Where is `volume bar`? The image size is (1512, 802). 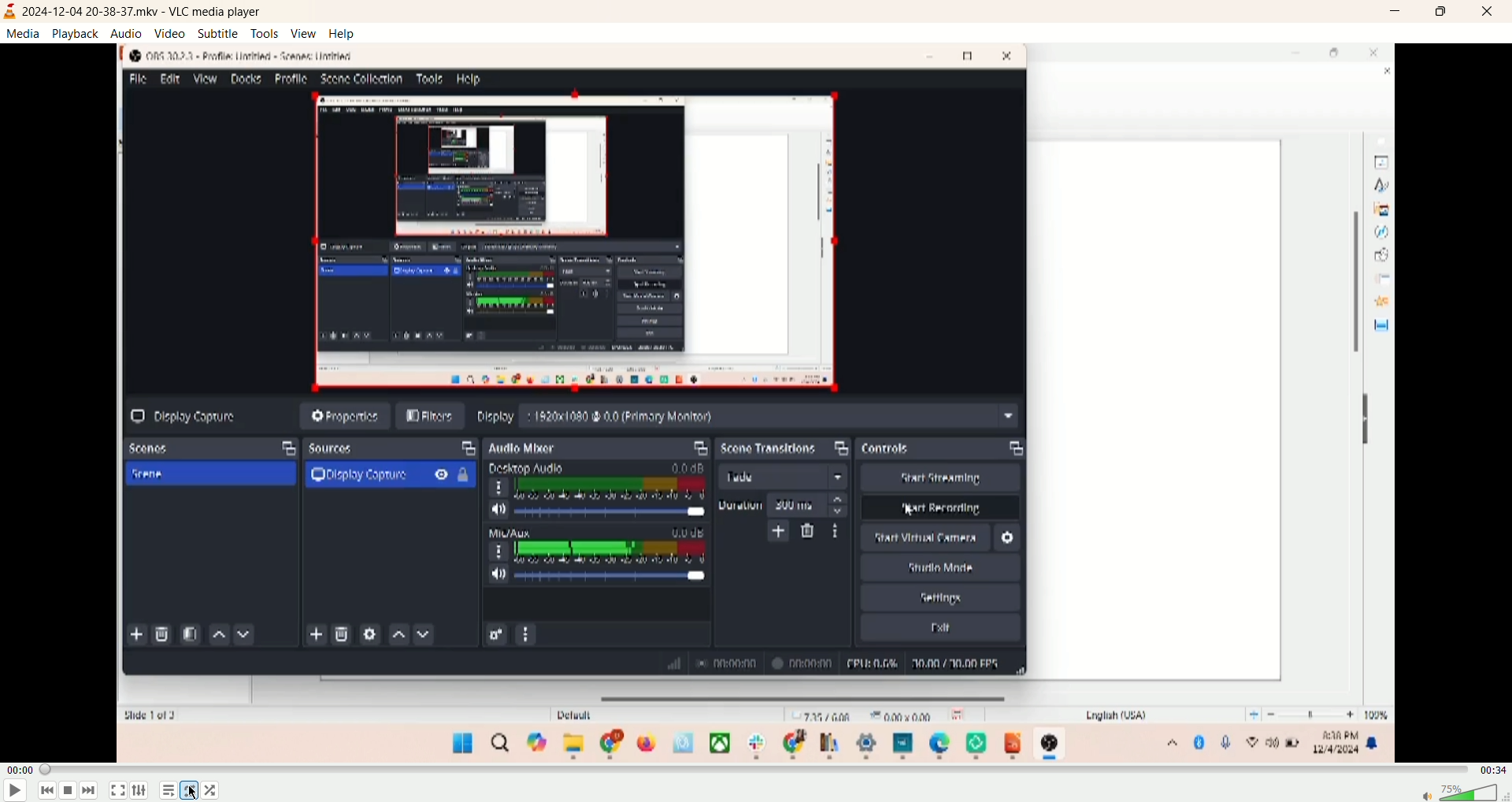 volume bar is located at coordinates (1471, 794).